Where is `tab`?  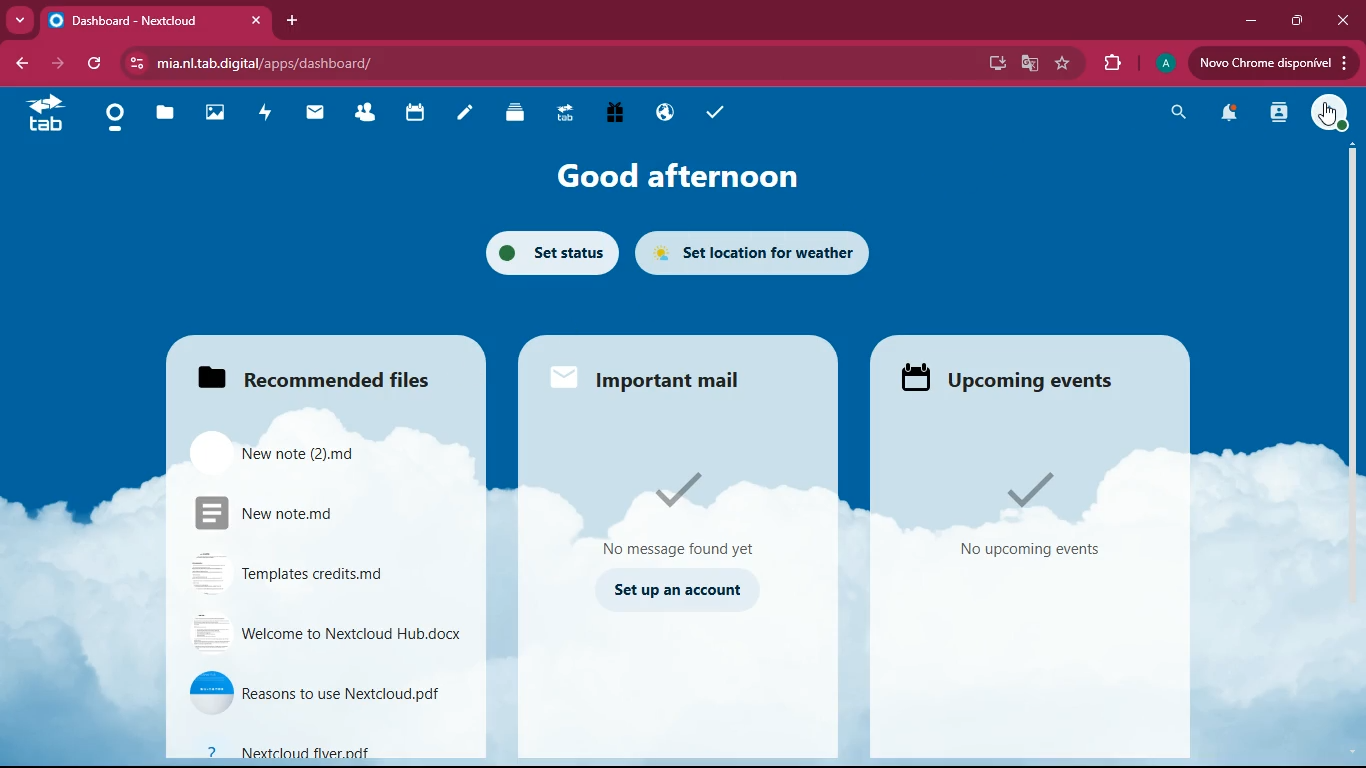
tab is located at coordinates (569, 116).